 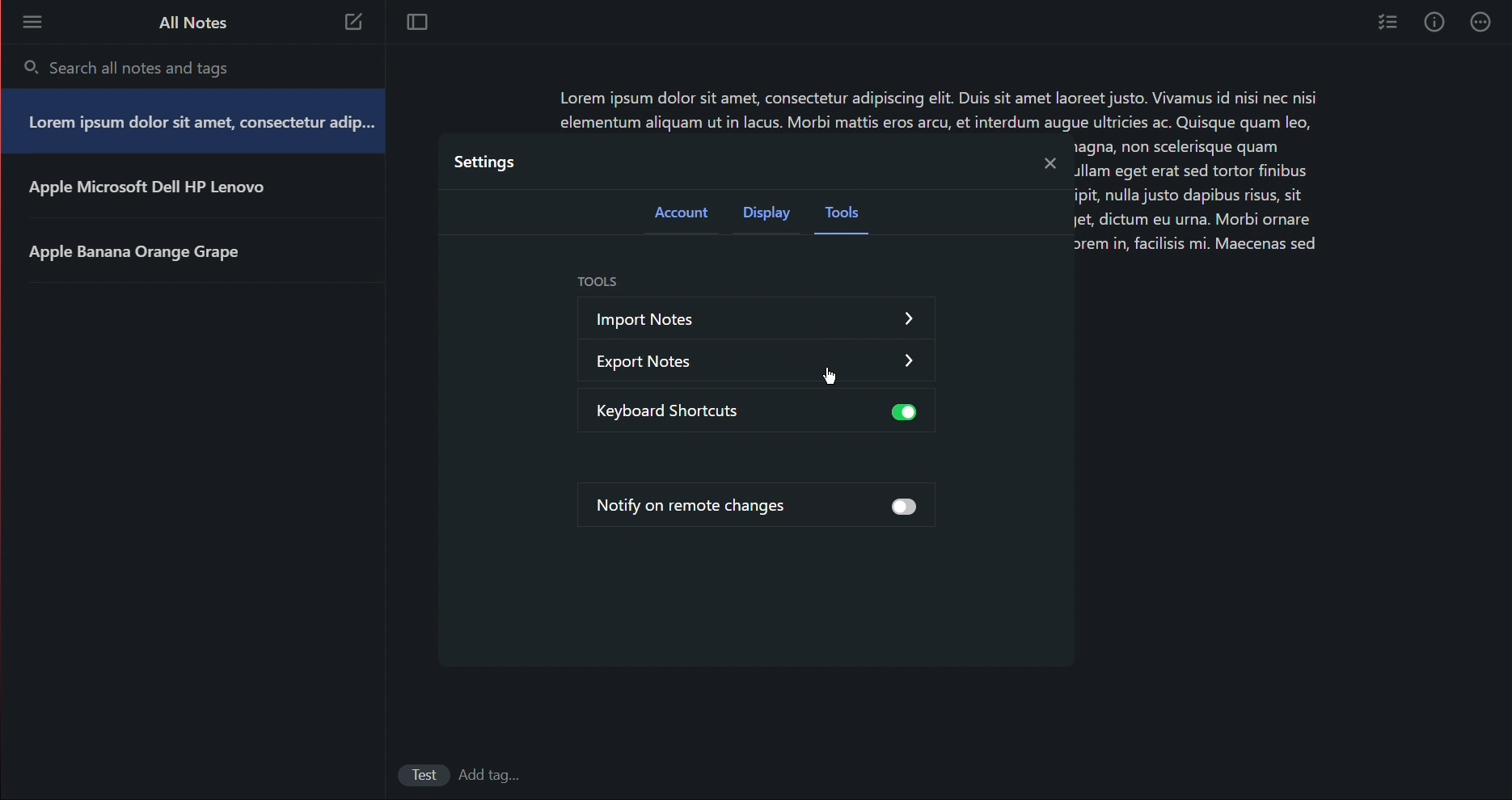 I want to click on More, so click(x=32, y=24).